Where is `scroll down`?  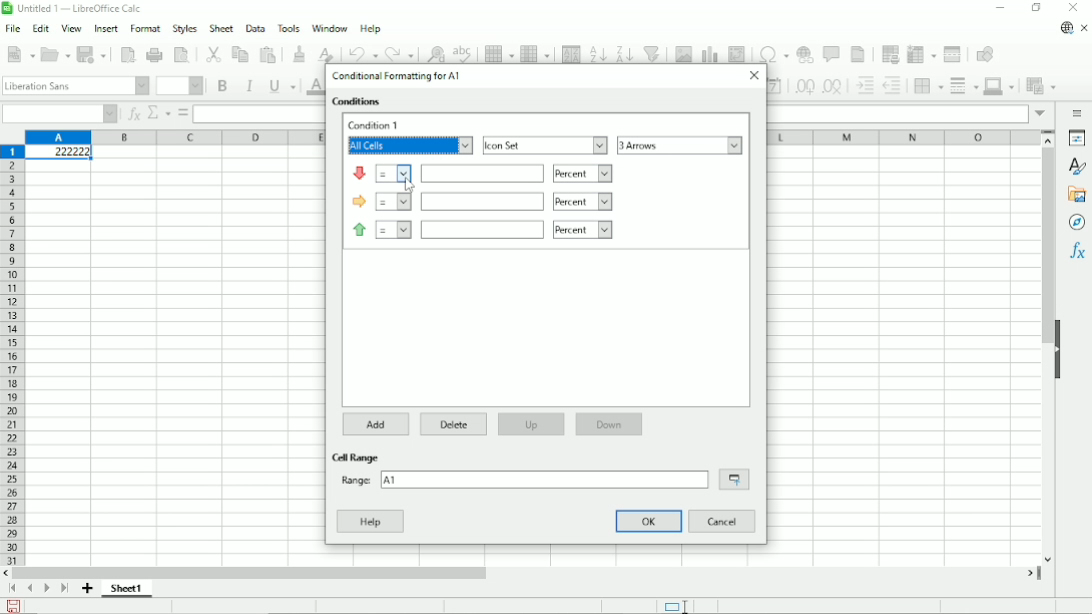
scroll down is located at coordinates (1048, 559).